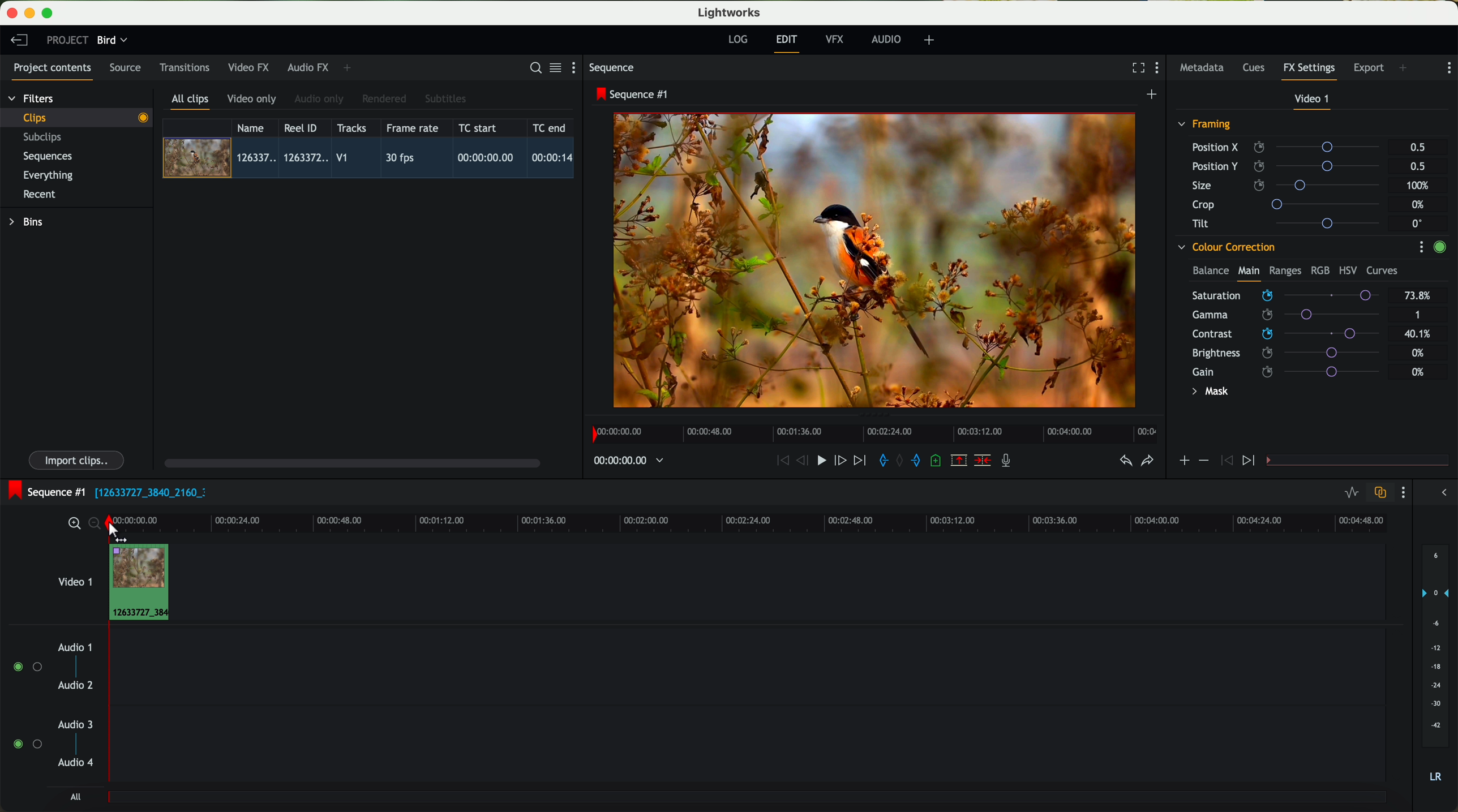 This screenshot has height=812, width=1458. Describe the element at coordinates (960, 461) in the screenshot. I see `remove the marked section` at that location.